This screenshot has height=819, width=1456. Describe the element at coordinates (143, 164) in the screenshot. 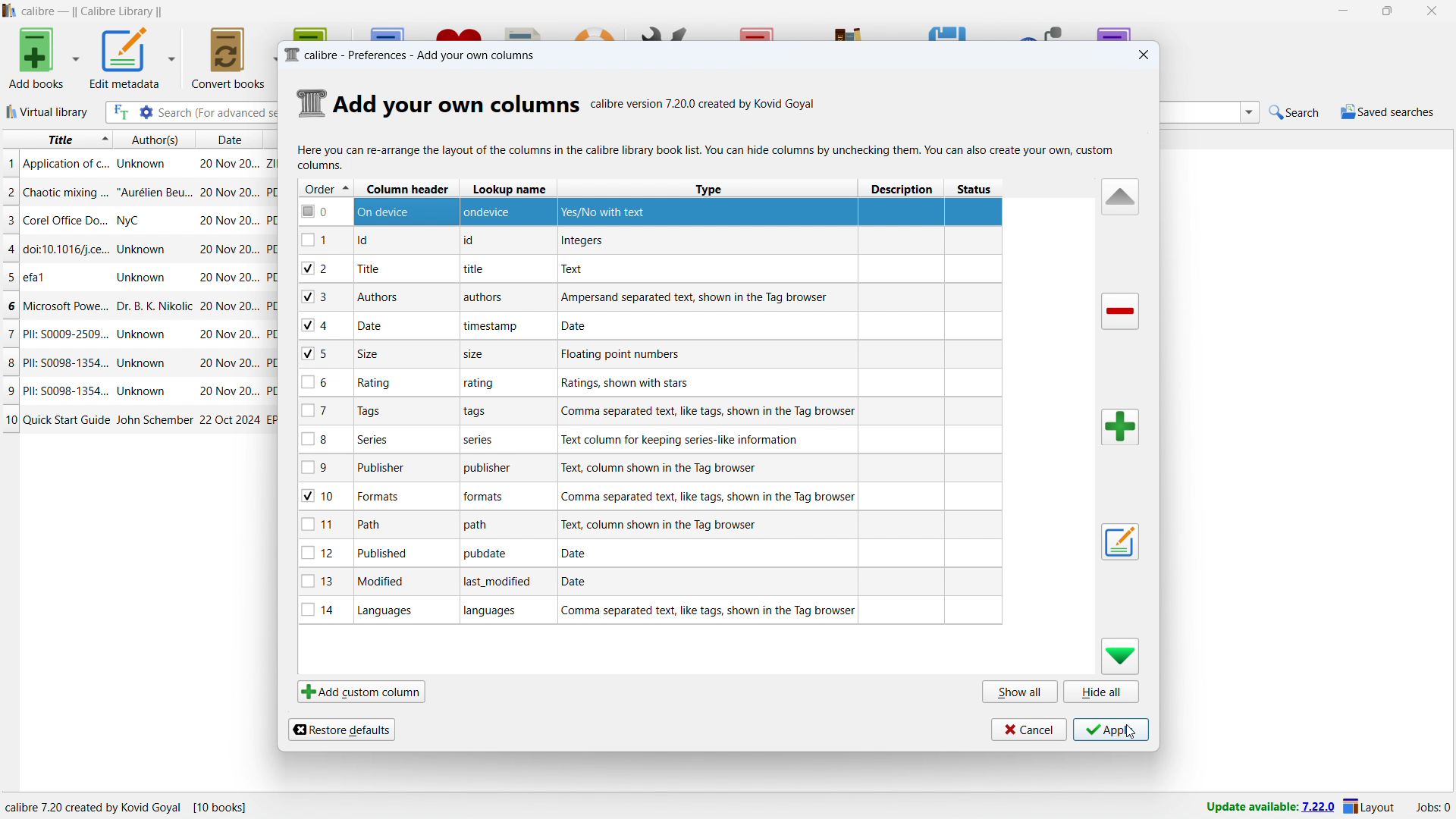

I see `author` at that location.